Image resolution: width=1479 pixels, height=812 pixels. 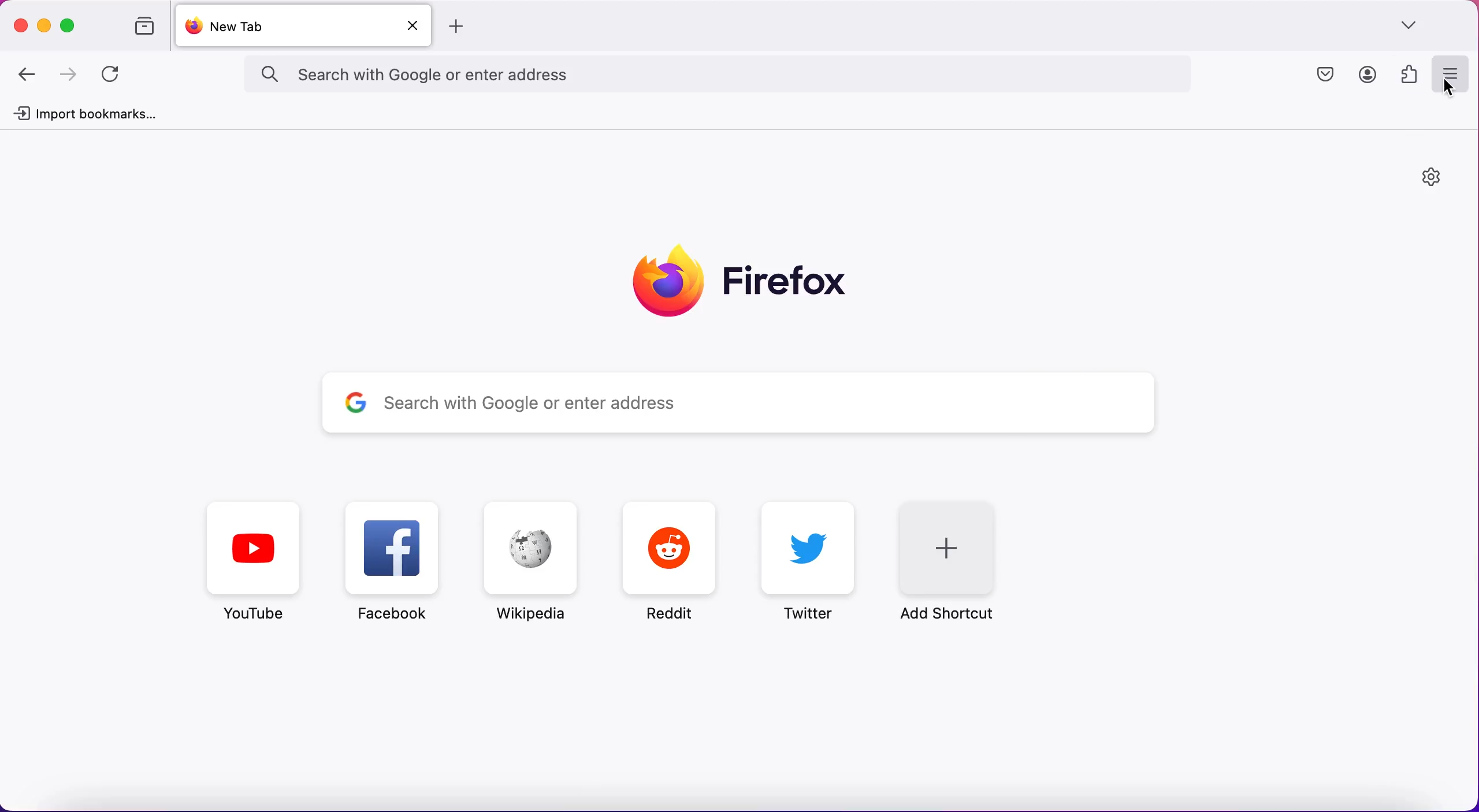 What do you see at coordinates (812, 561) in the screenshot?
I see `Twitter` at bounding box center [812, 561].